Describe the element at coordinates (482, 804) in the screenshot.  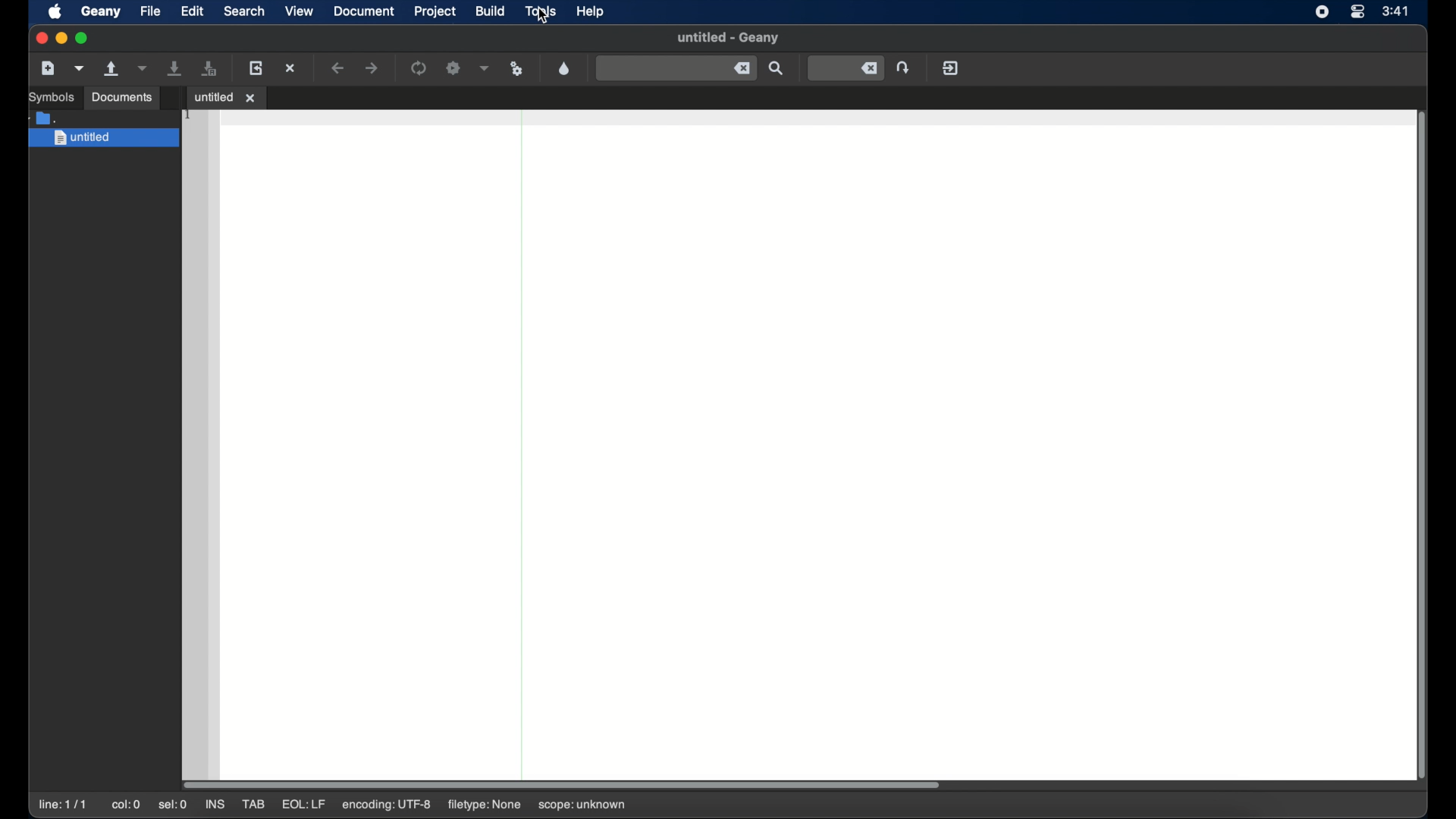
I see `filetype: none` at that location.